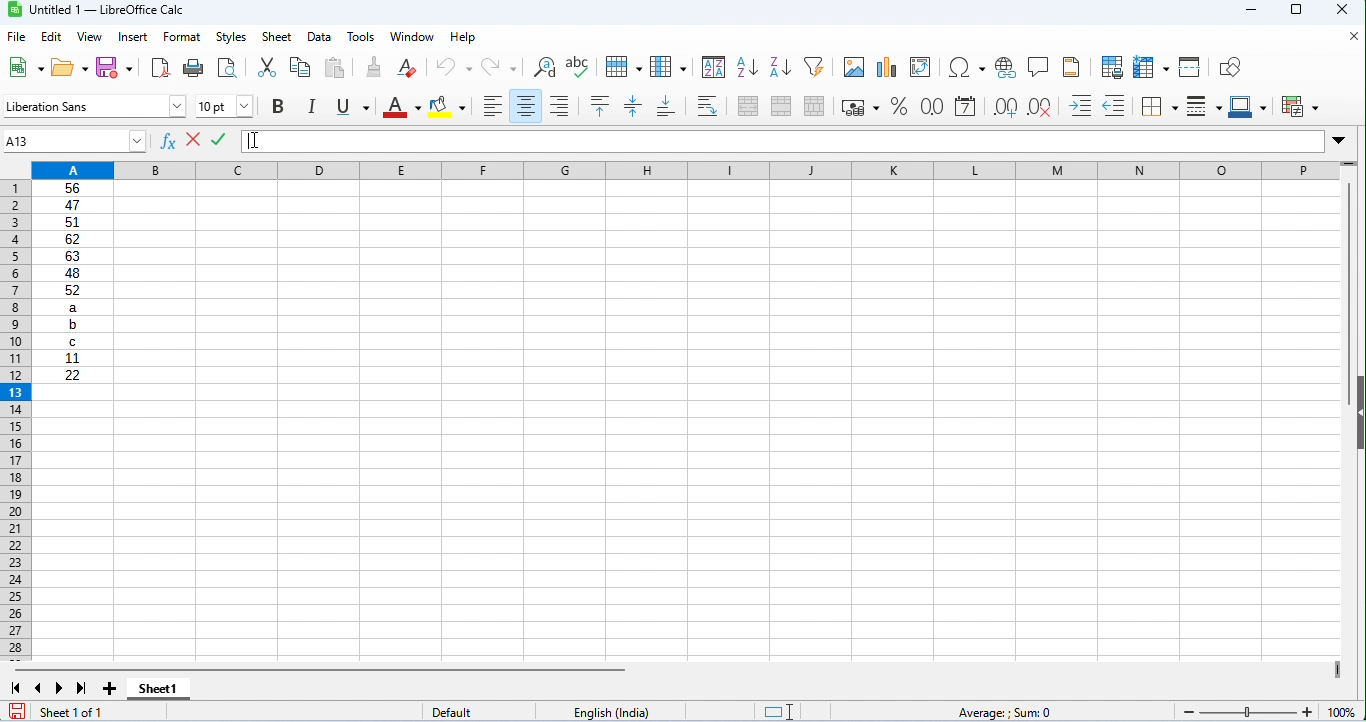 This screenshot has width=1366, height=722. I want to click on English (India), so click(611, 712).